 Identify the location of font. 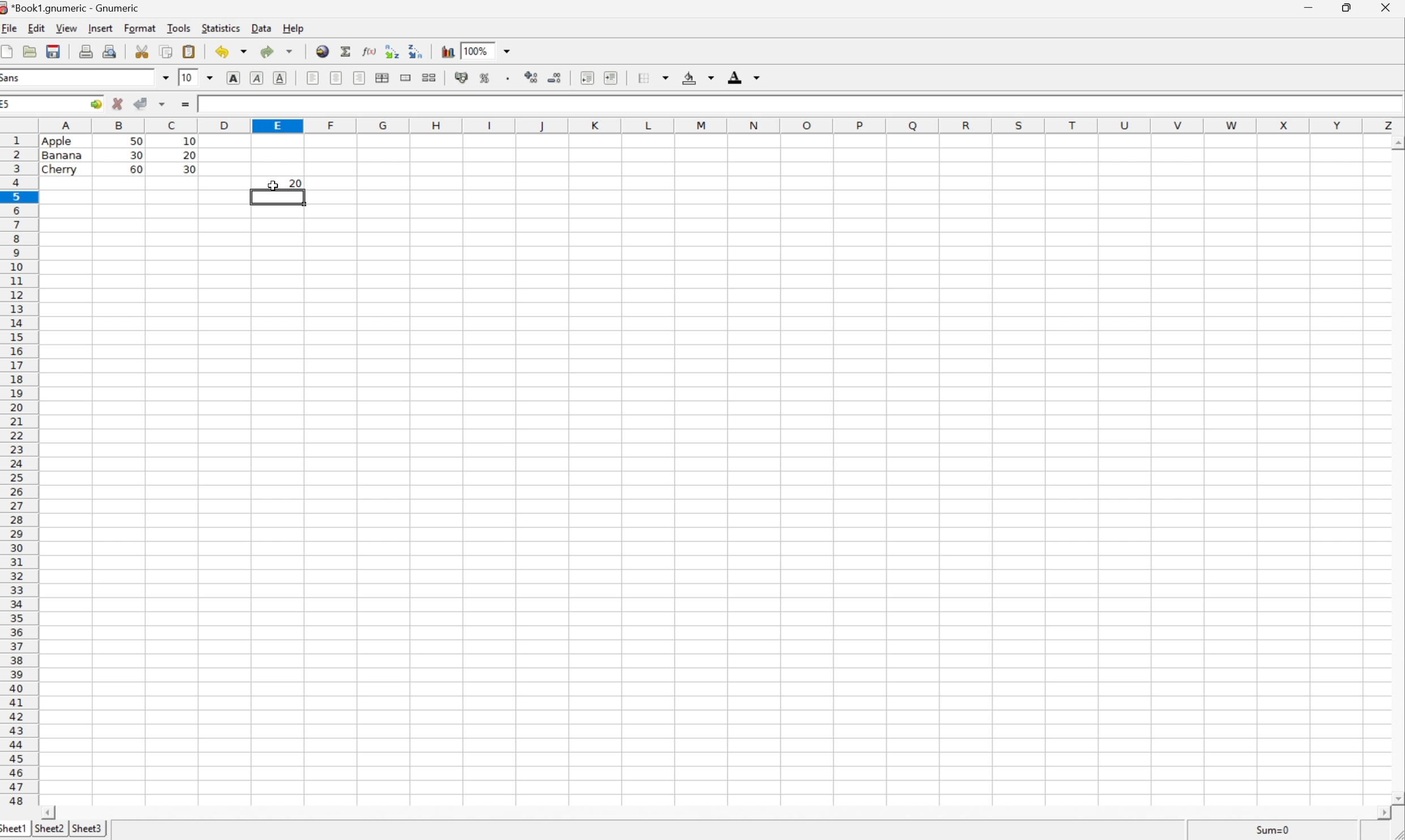
(13, 79).